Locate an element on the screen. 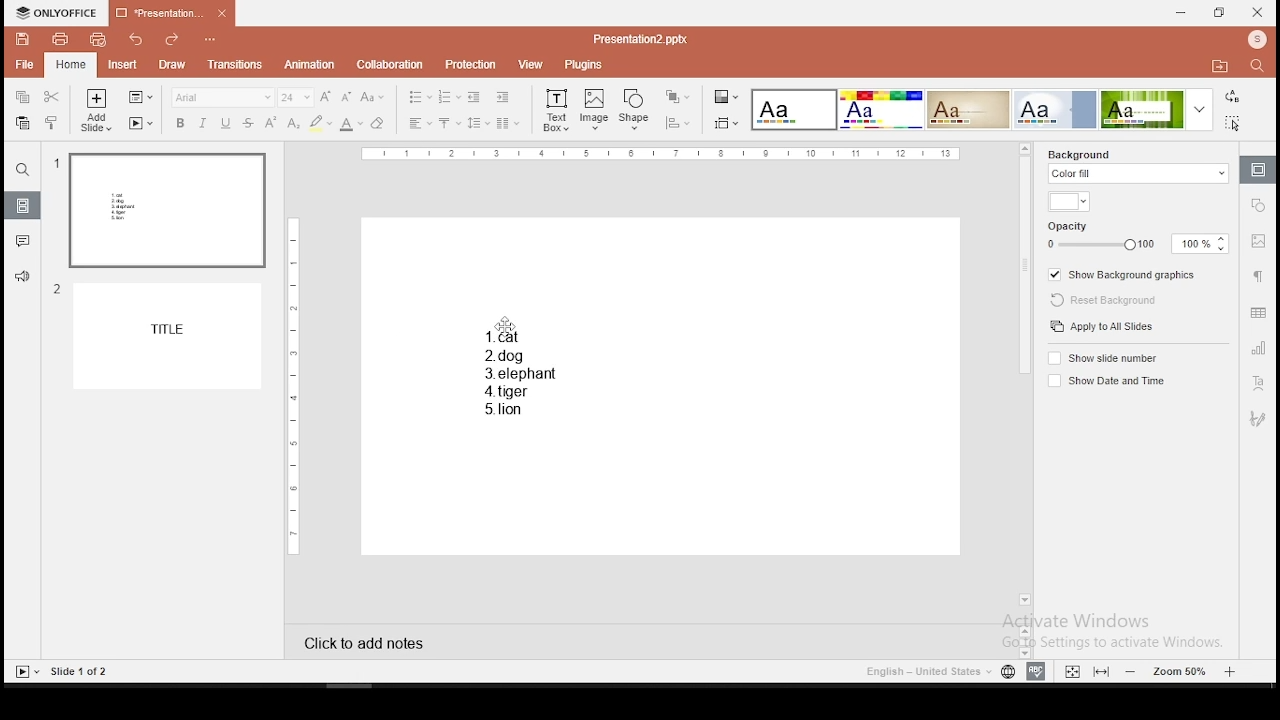 The height and width of the screenshot is (720, 1280). protection is located at coordinates (472, 63).